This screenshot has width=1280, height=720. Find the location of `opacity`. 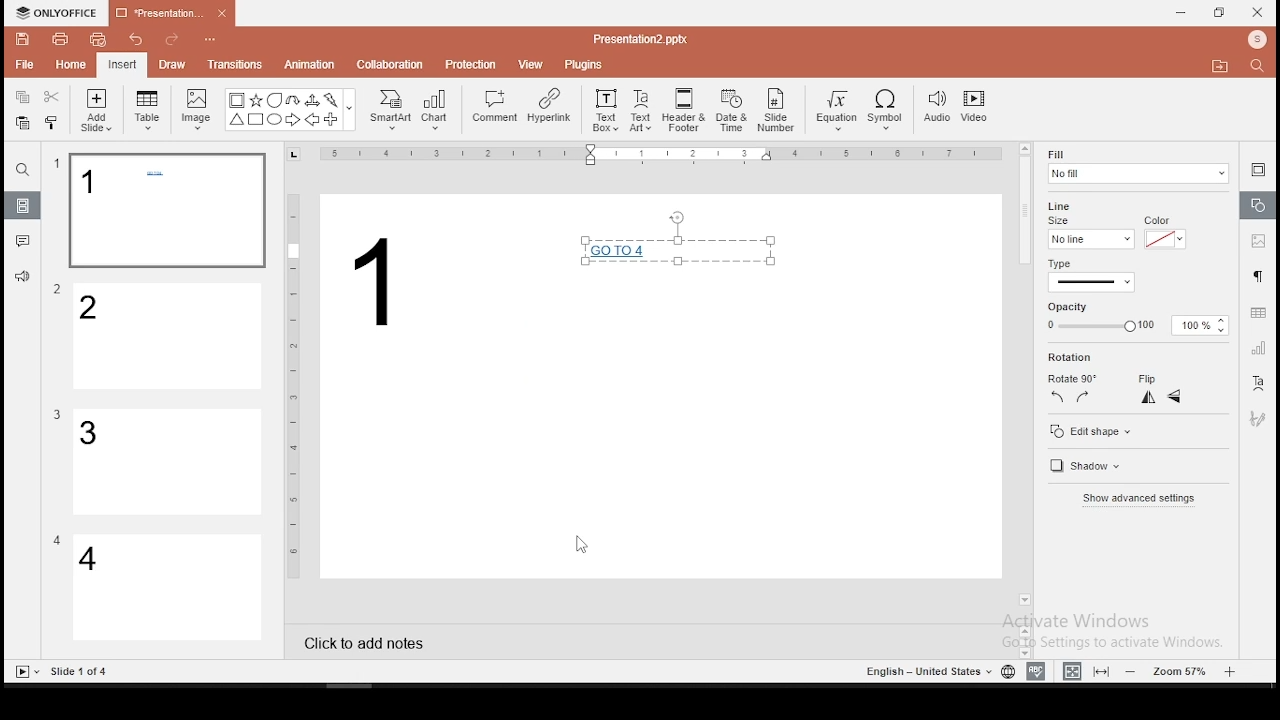

opacity is located at coordinates (1134, 326).